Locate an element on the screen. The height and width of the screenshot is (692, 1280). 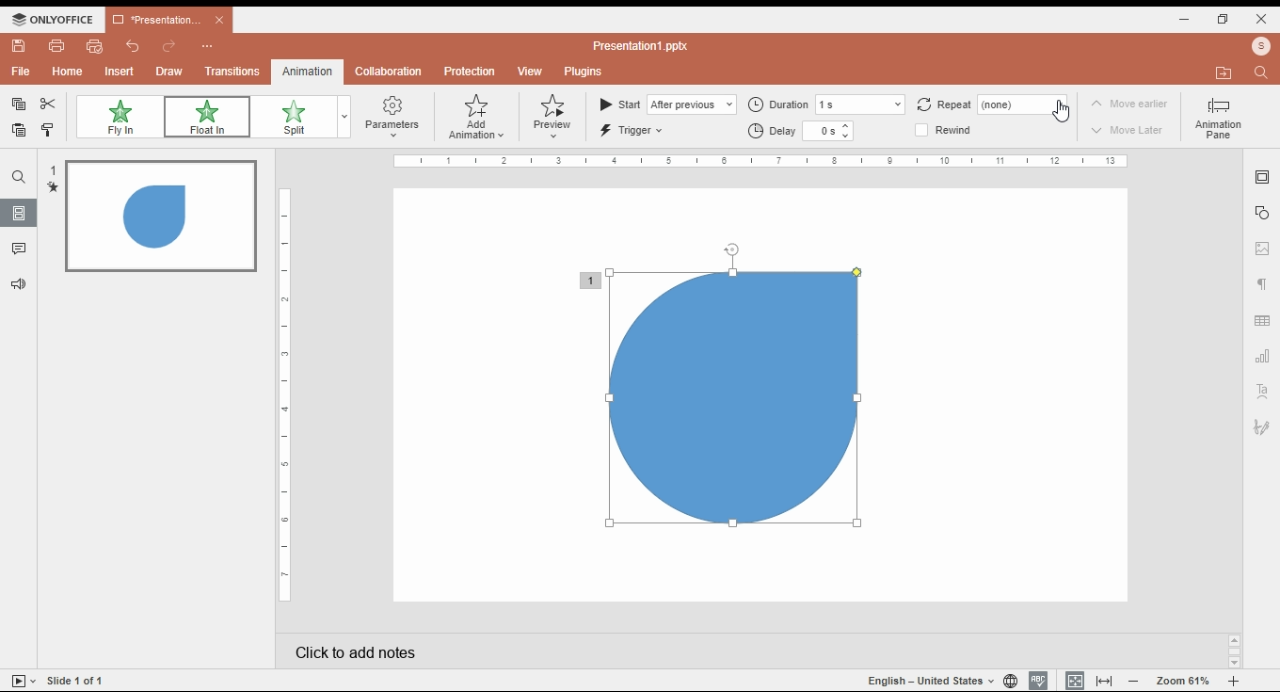
repeat is located at coordinates (1000, 104).